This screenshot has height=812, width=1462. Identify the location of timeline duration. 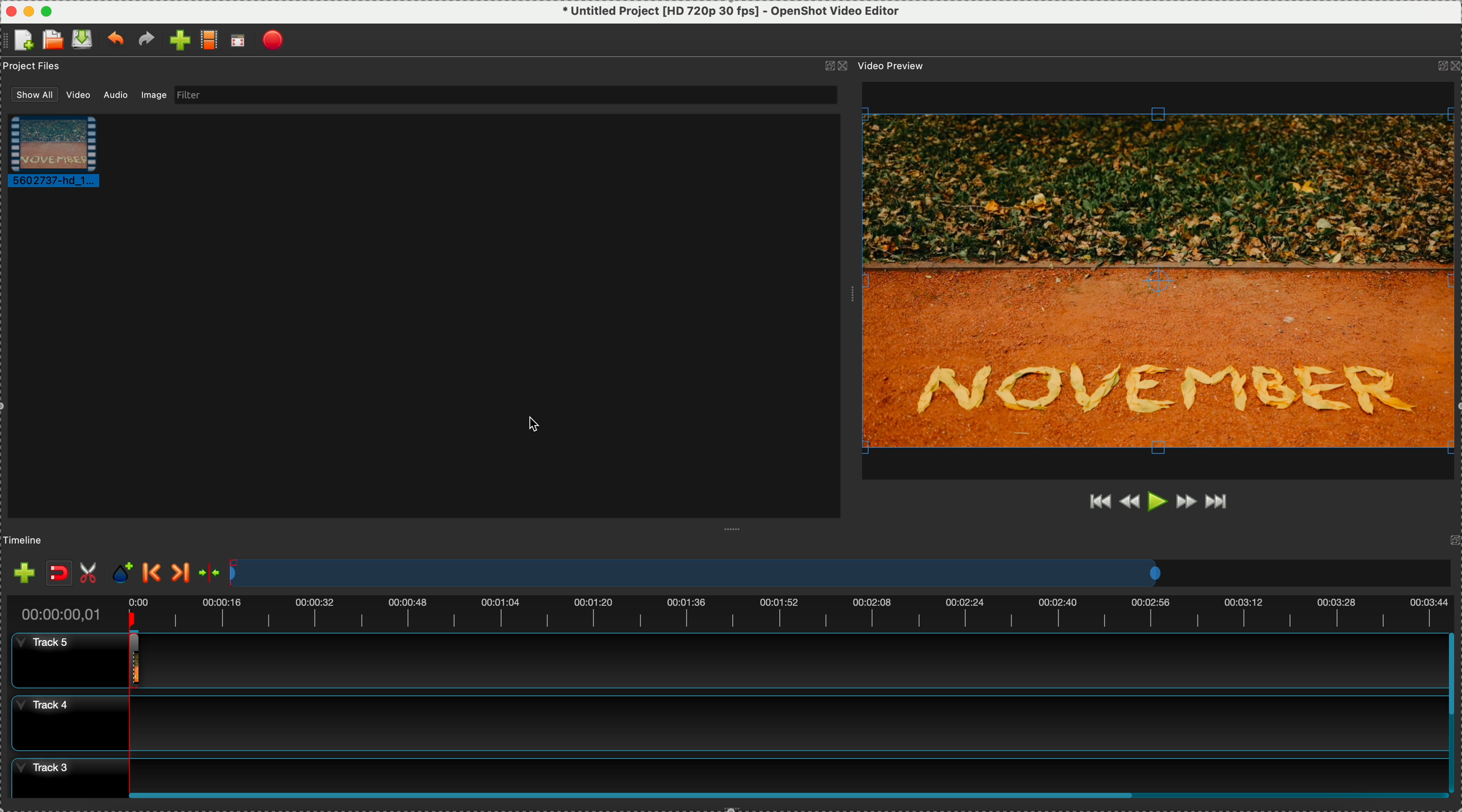
(728, 610).